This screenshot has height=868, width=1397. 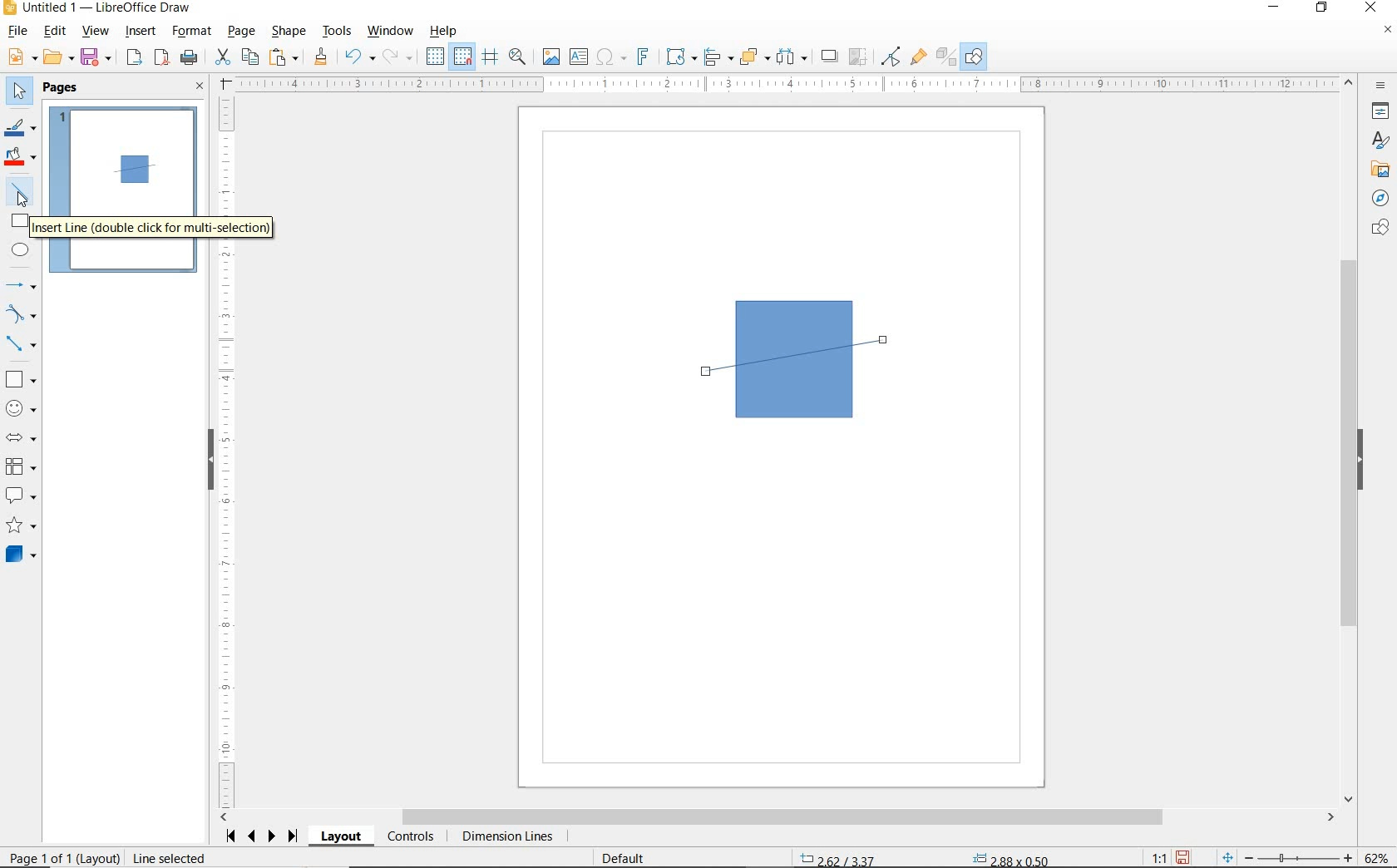 I want to click on WINDOW, so click(x=391, y=32).